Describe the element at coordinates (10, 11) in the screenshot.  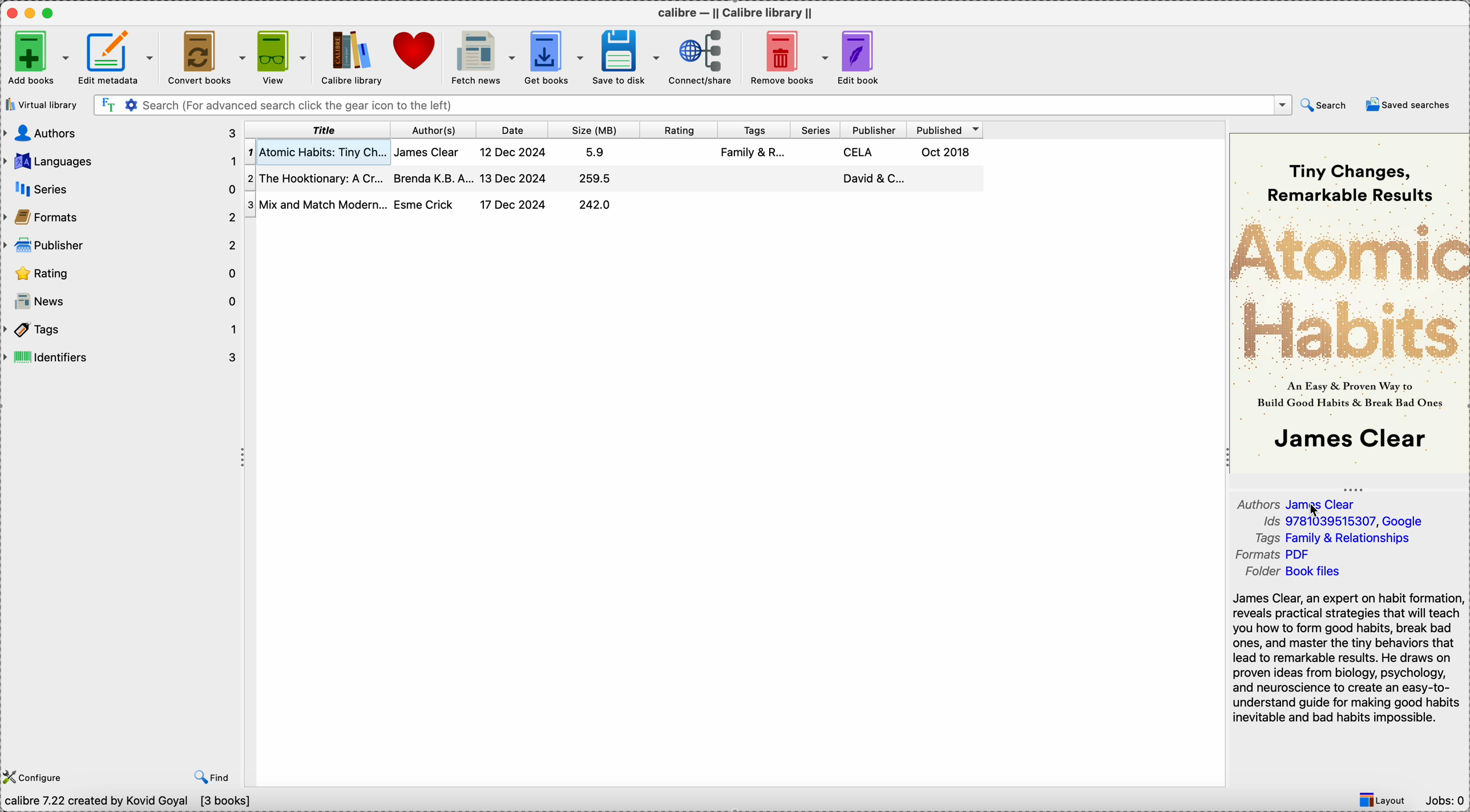
I see `close program` at that location.